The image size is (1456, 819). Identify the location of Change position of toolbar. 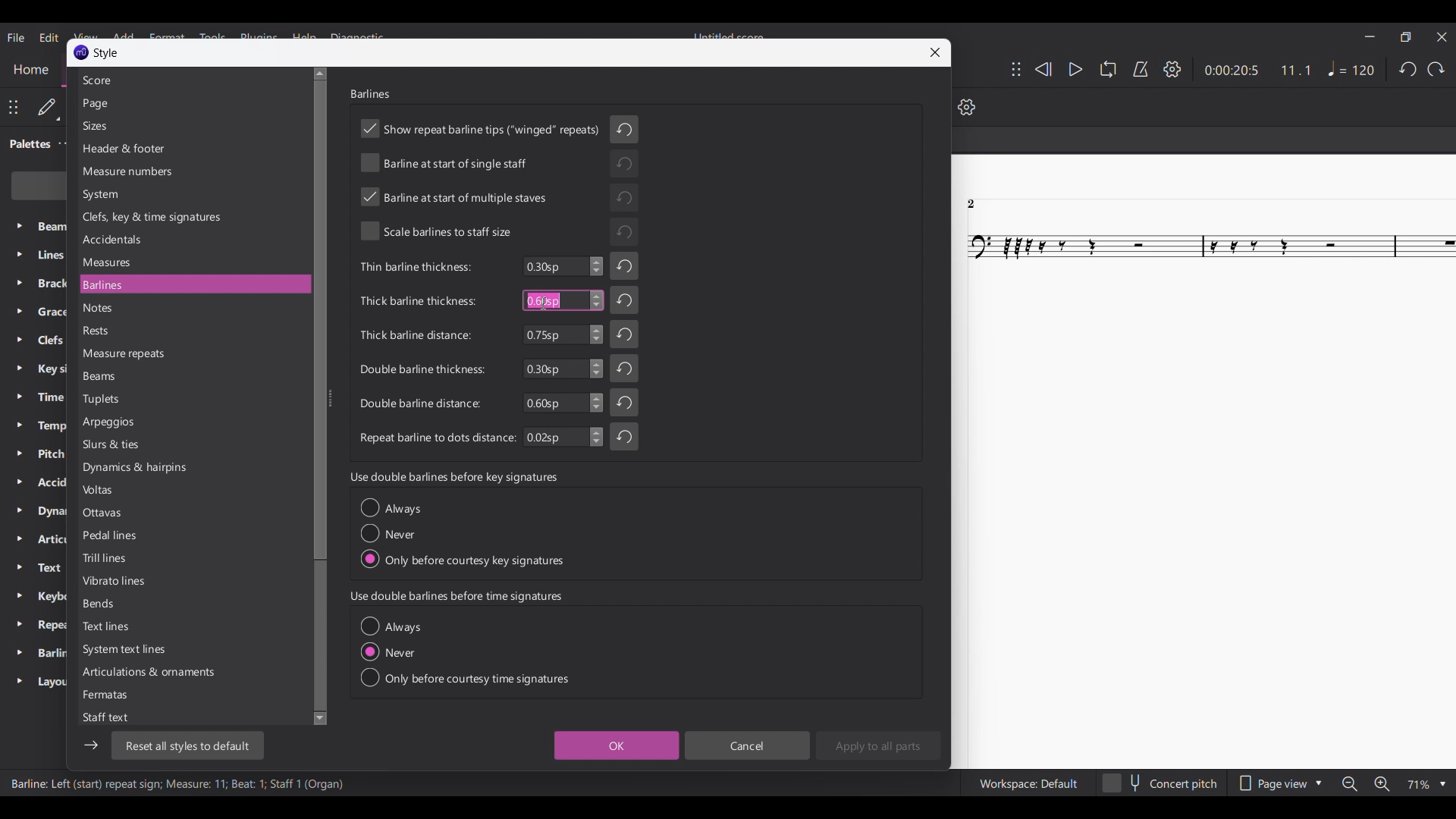
(1016, 69).